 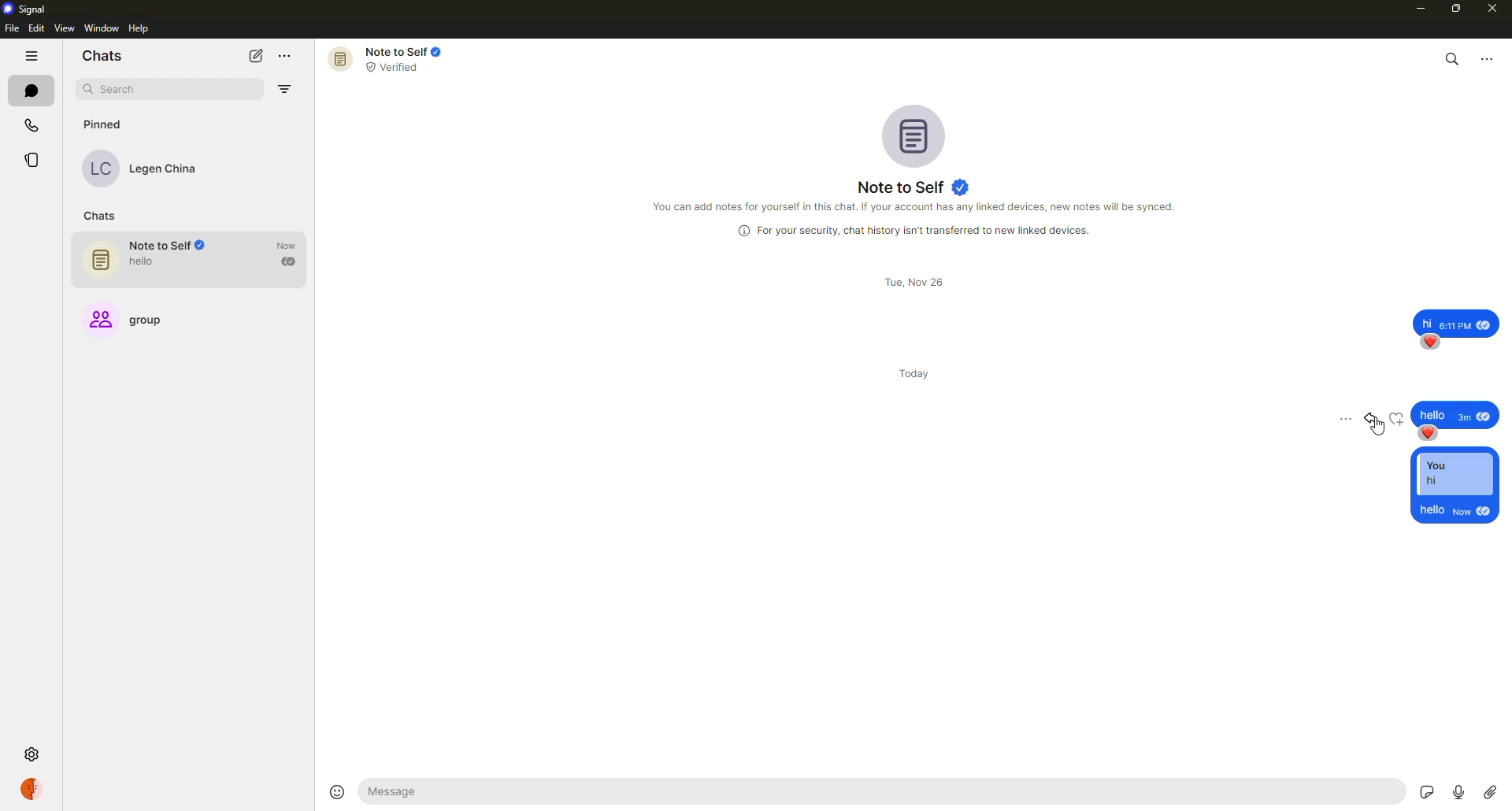 I want to click on pinned, so click(x=103, y=126).